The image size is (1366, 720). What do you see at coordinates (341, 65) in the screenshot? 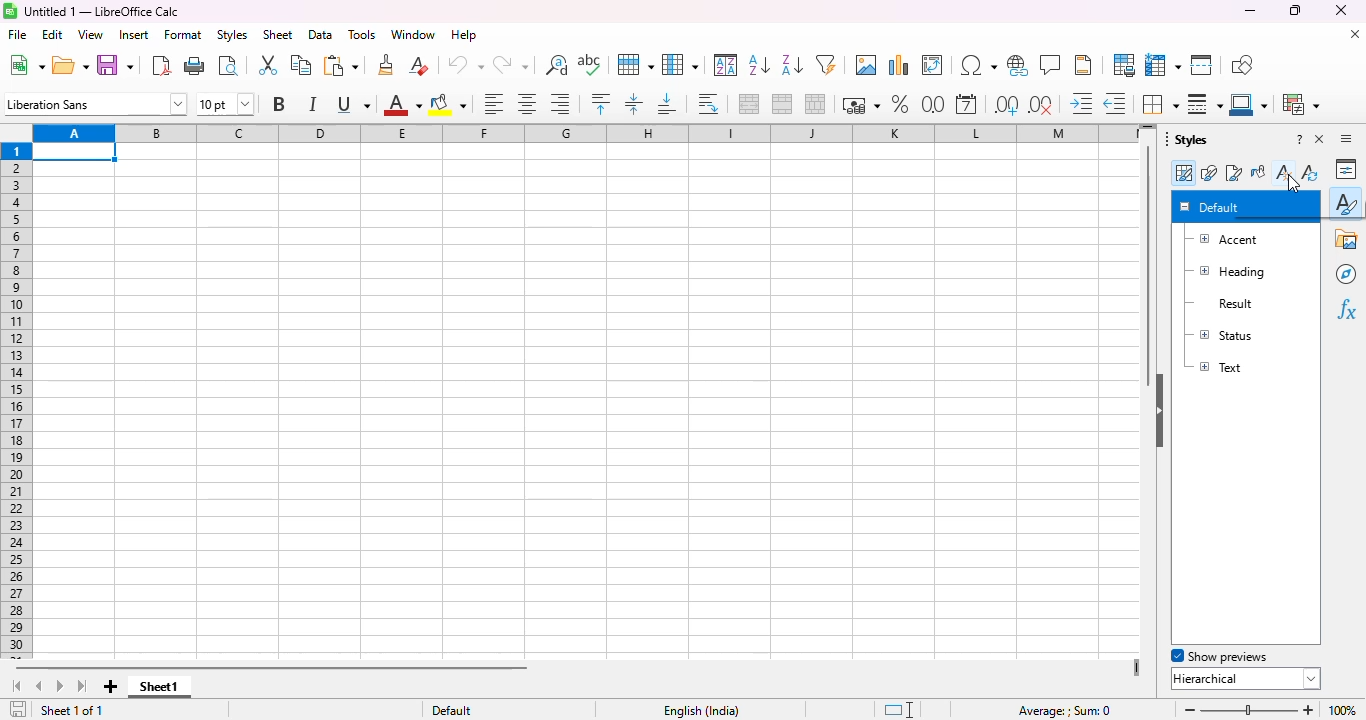
I see `paste` at bounding box center [341, 65].